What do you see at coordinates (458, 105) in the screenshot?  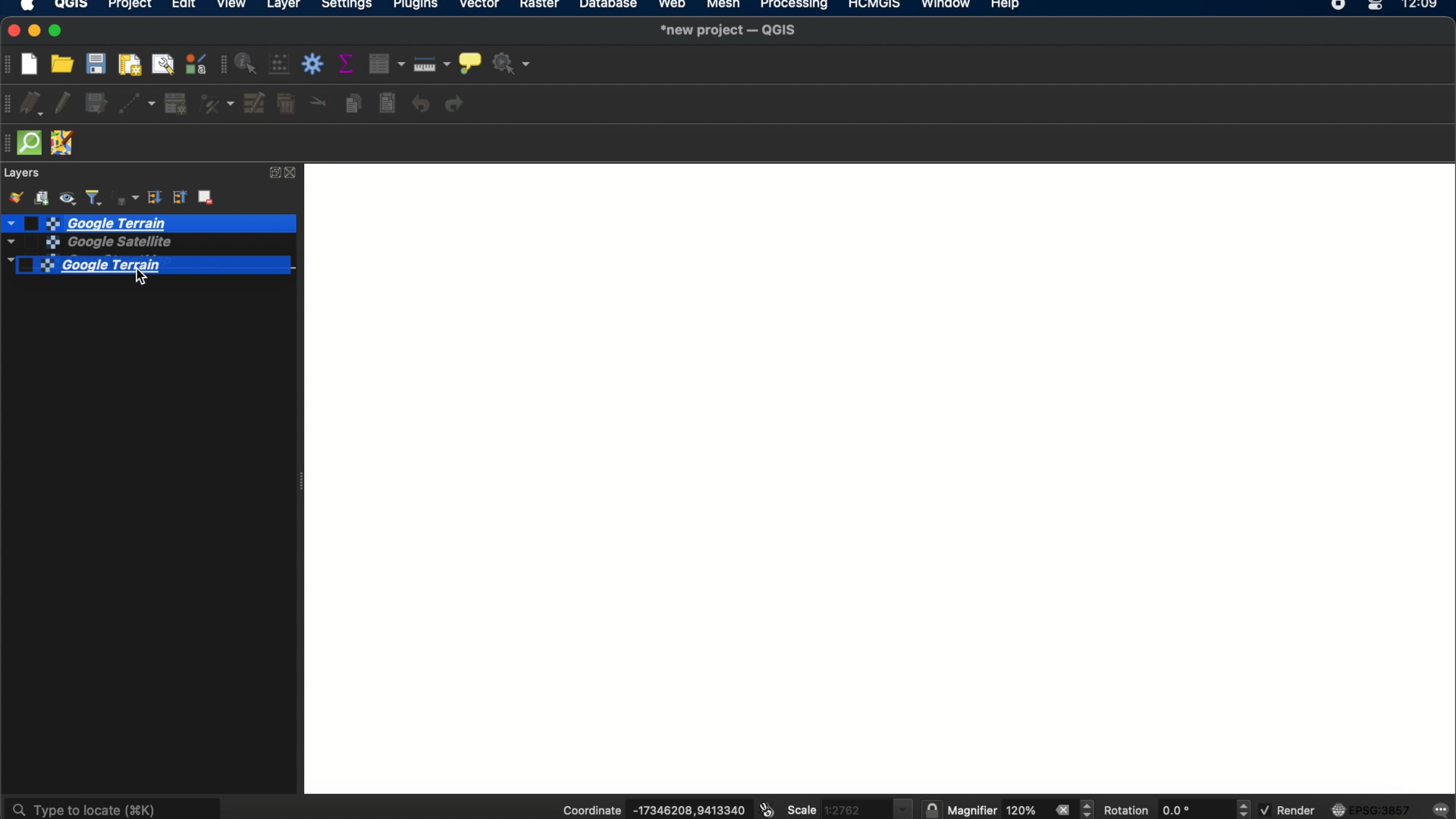 I see `redo` at bounding box center [458, 105].